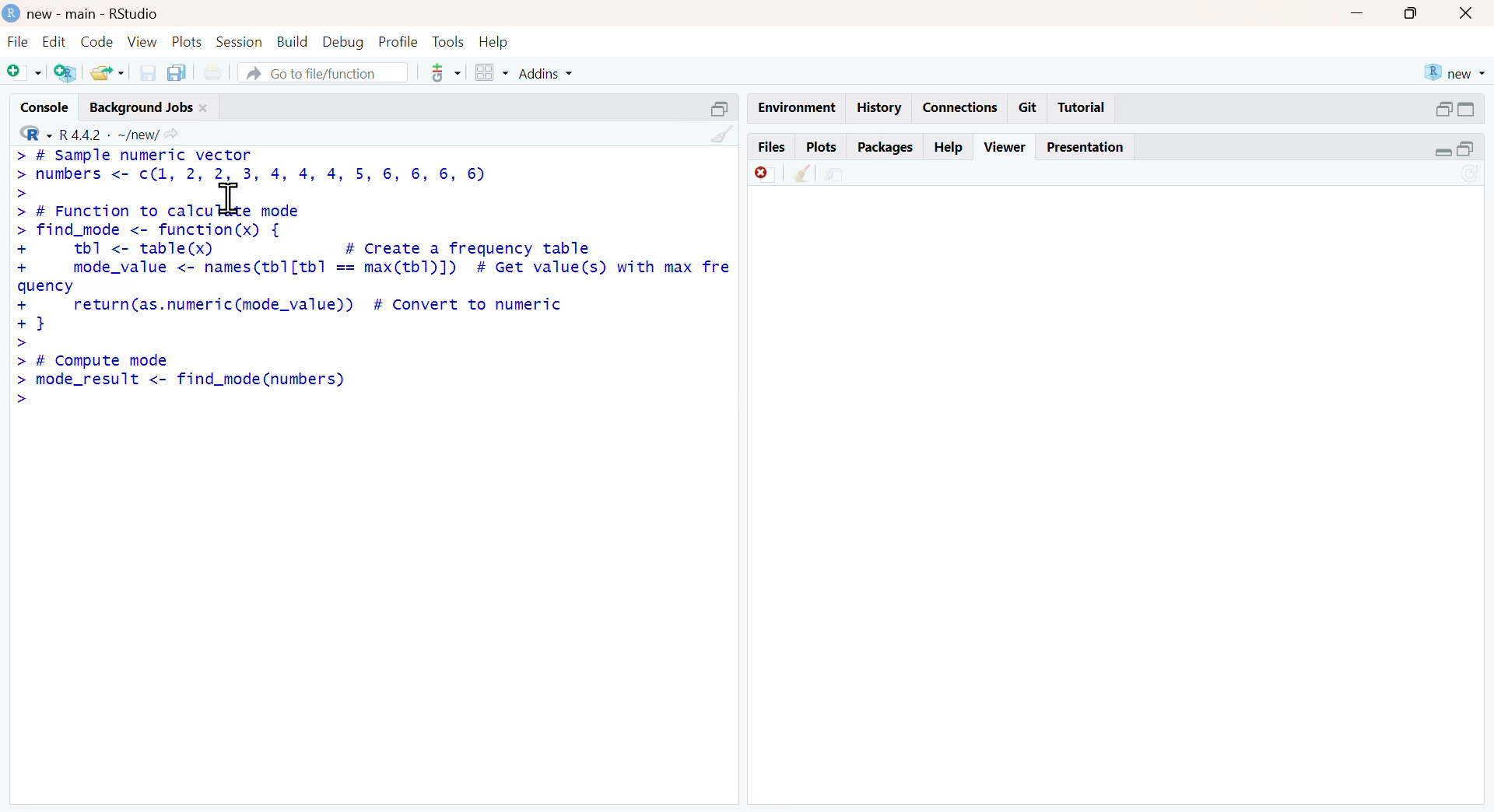  I want to click on open in separate window, so click(1444, 110).